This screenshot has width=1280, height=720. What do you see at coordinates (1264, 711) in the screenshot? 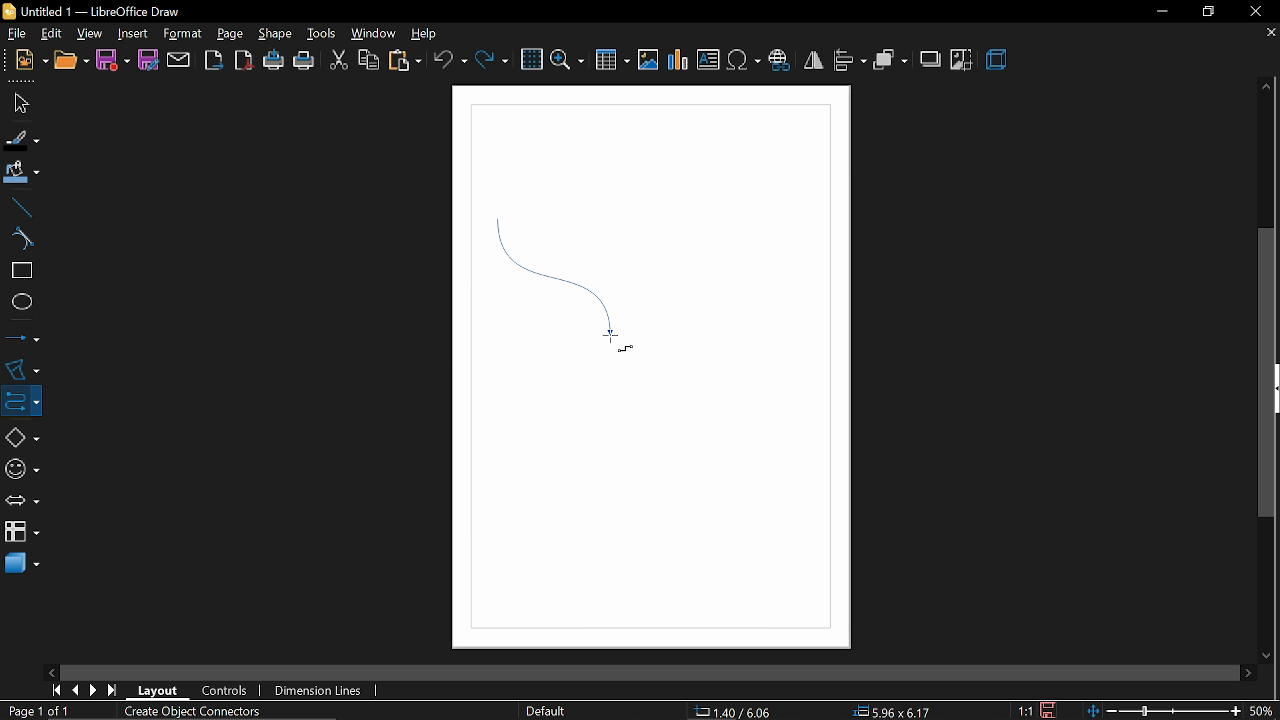
I see `current zoom` at bounding box center [1264, 711].